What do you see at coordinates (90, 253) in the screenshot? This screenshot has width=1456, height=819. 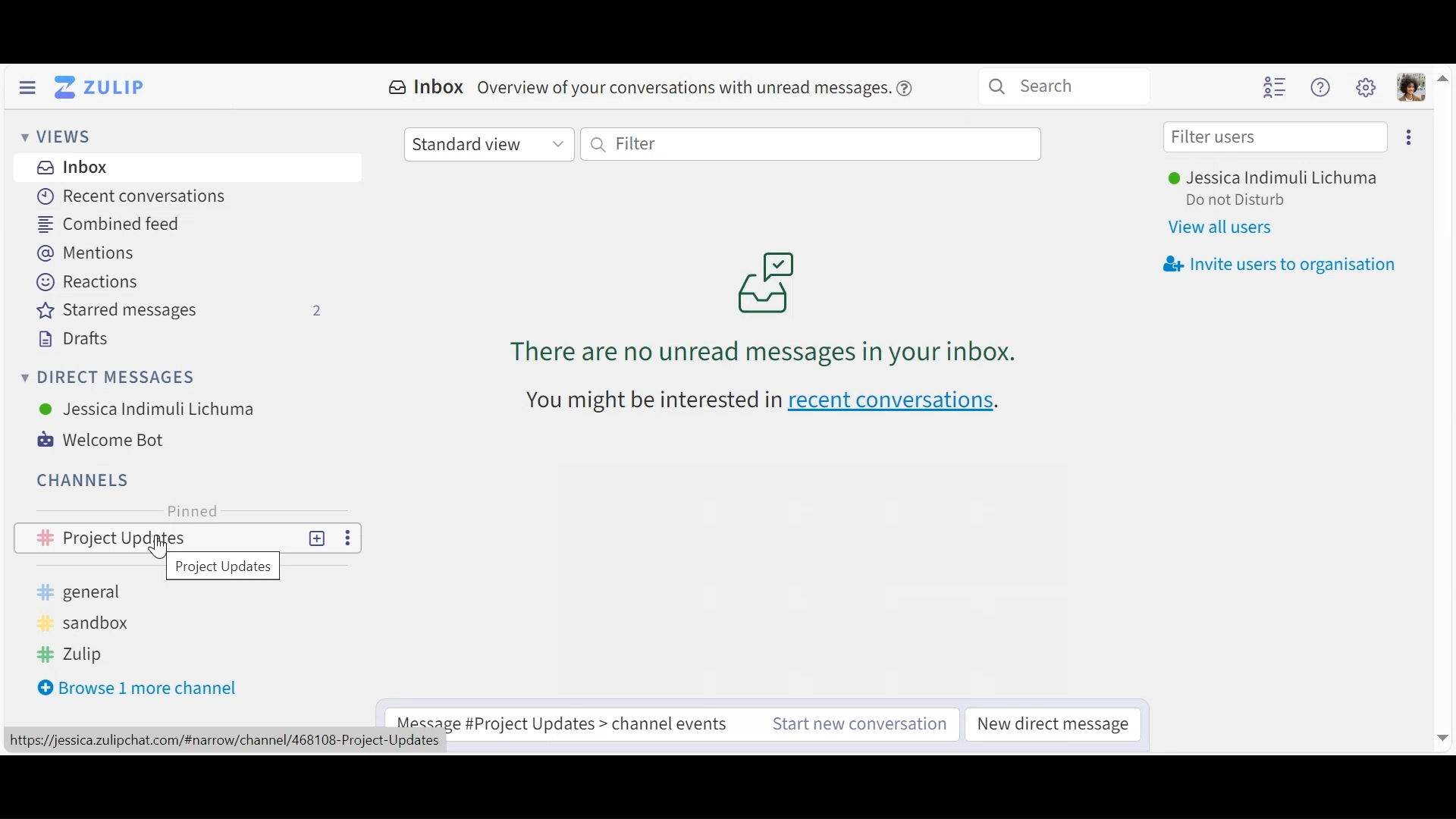 I see `Mentions` at bounding box center [90, 253].